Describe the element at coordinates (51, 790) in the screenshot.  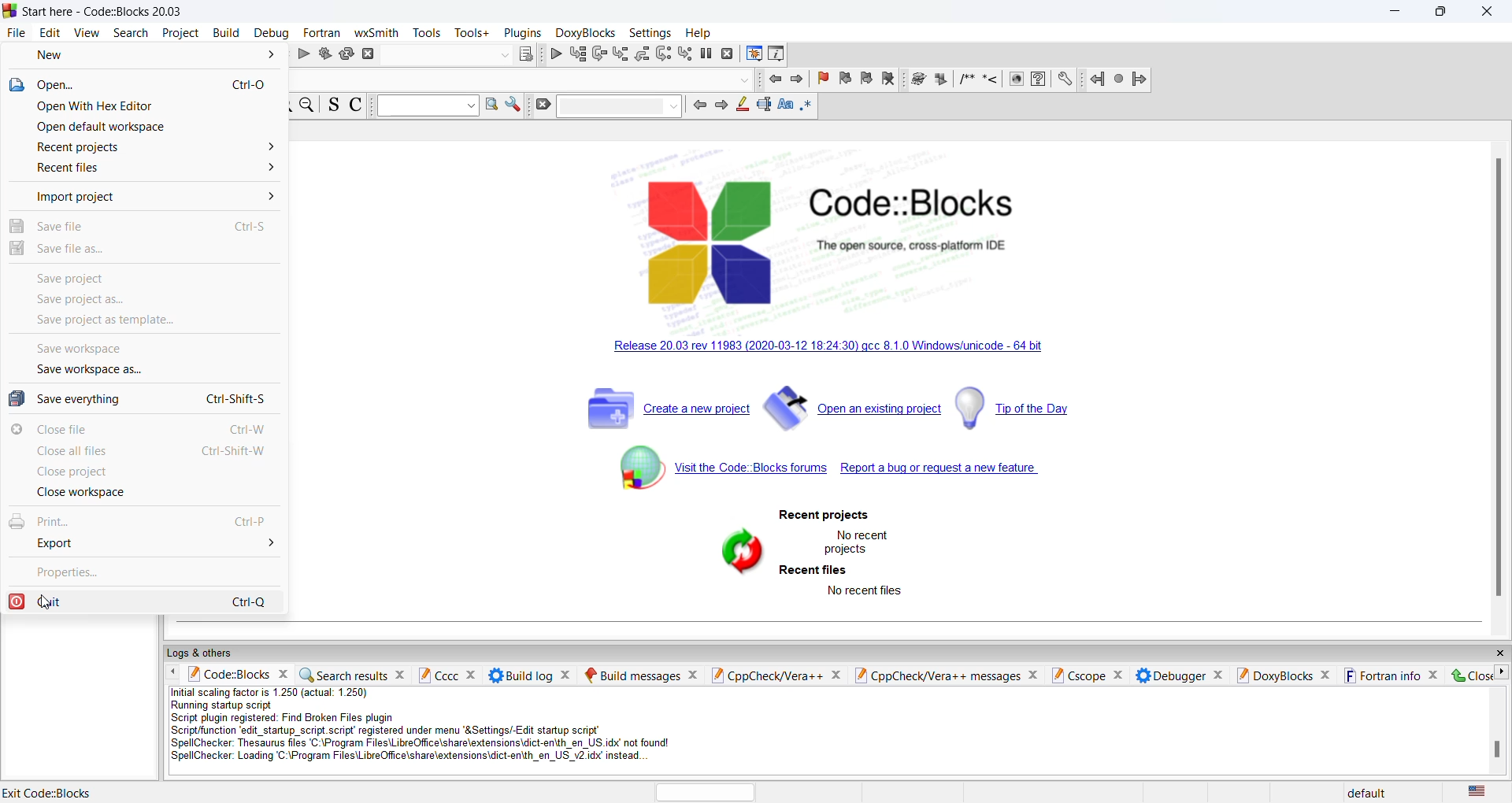
I see `start here` at that location.